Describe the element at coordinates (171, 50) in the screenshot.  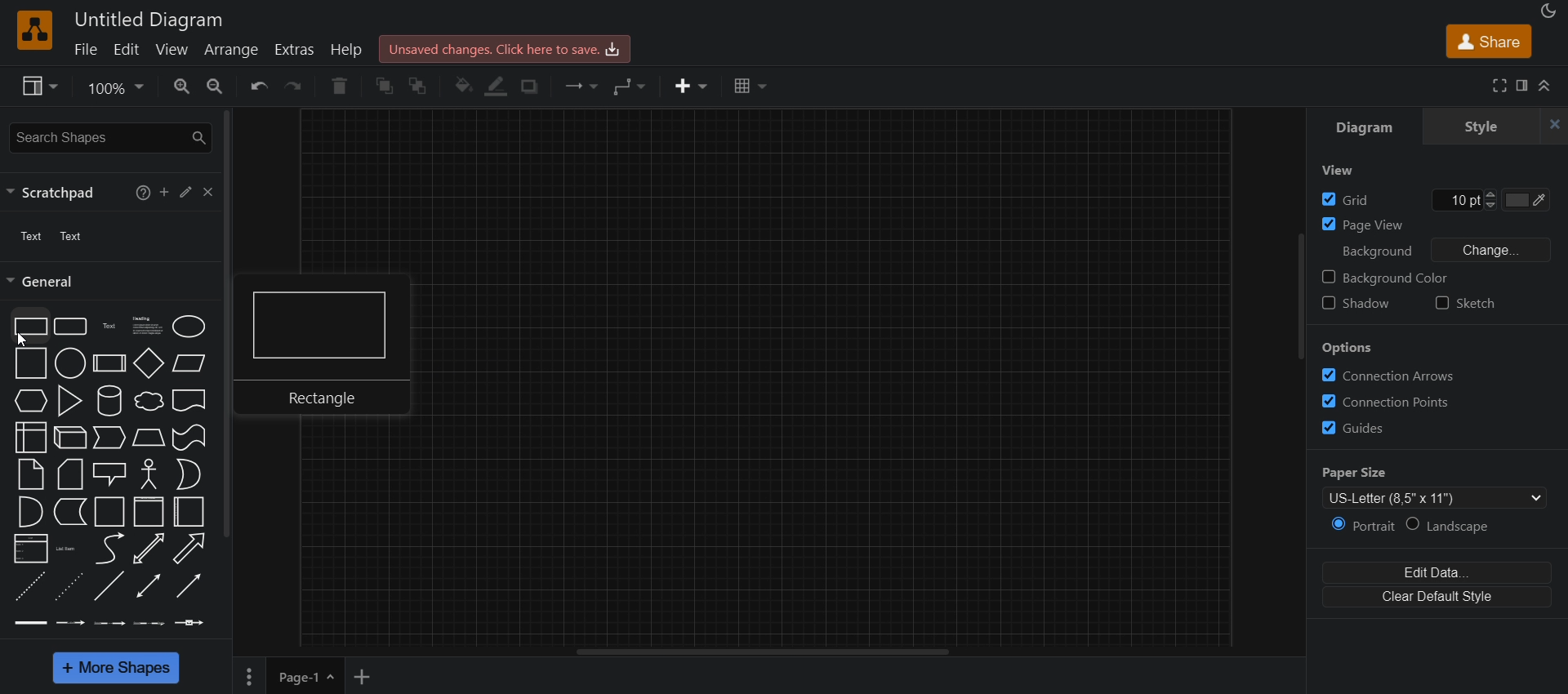
I see `view` at that location.